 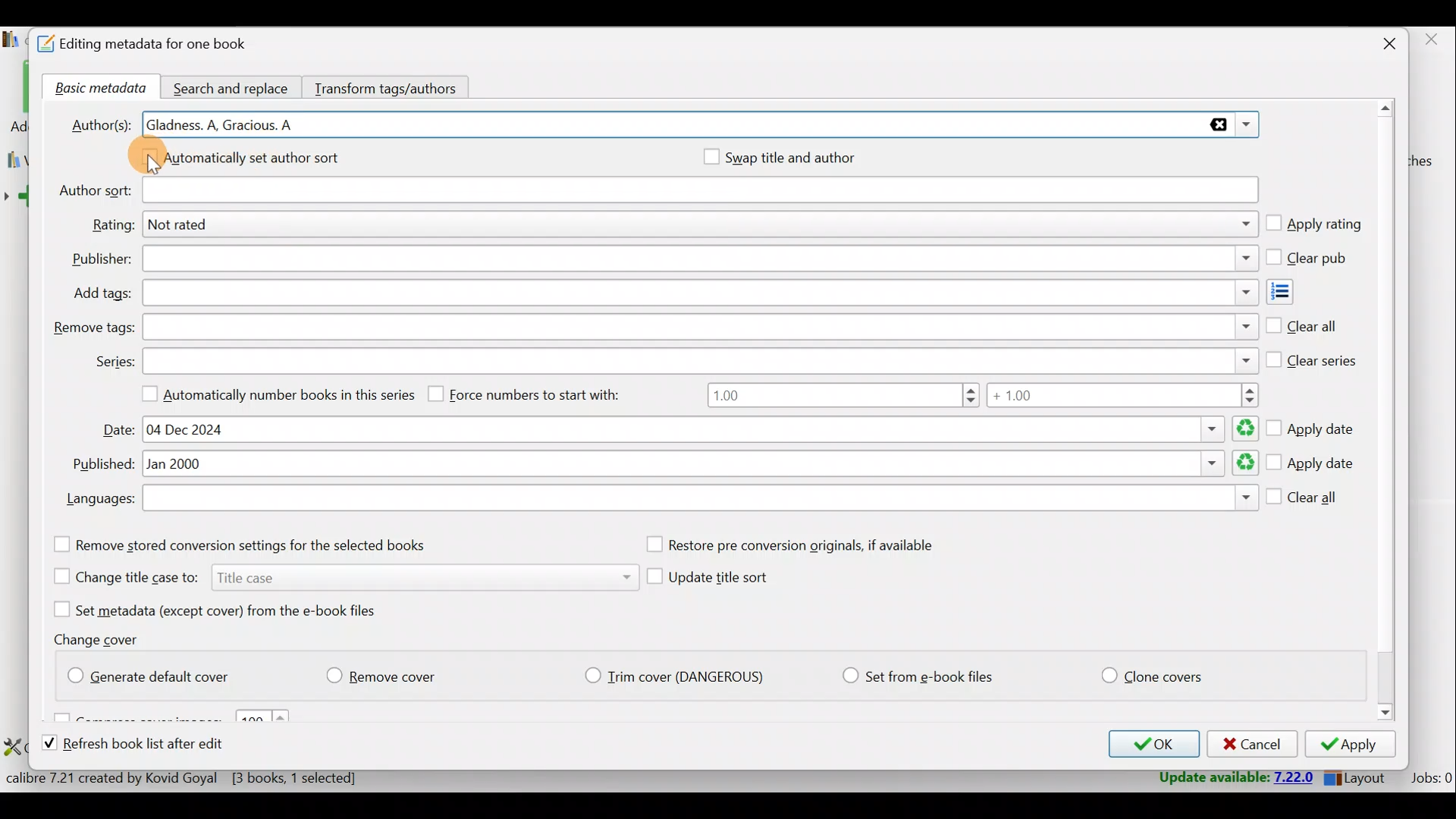 What do you see at coordinates (210, 777) in the screenshot?
I see `Statistics` at bounding box center [210, 777].